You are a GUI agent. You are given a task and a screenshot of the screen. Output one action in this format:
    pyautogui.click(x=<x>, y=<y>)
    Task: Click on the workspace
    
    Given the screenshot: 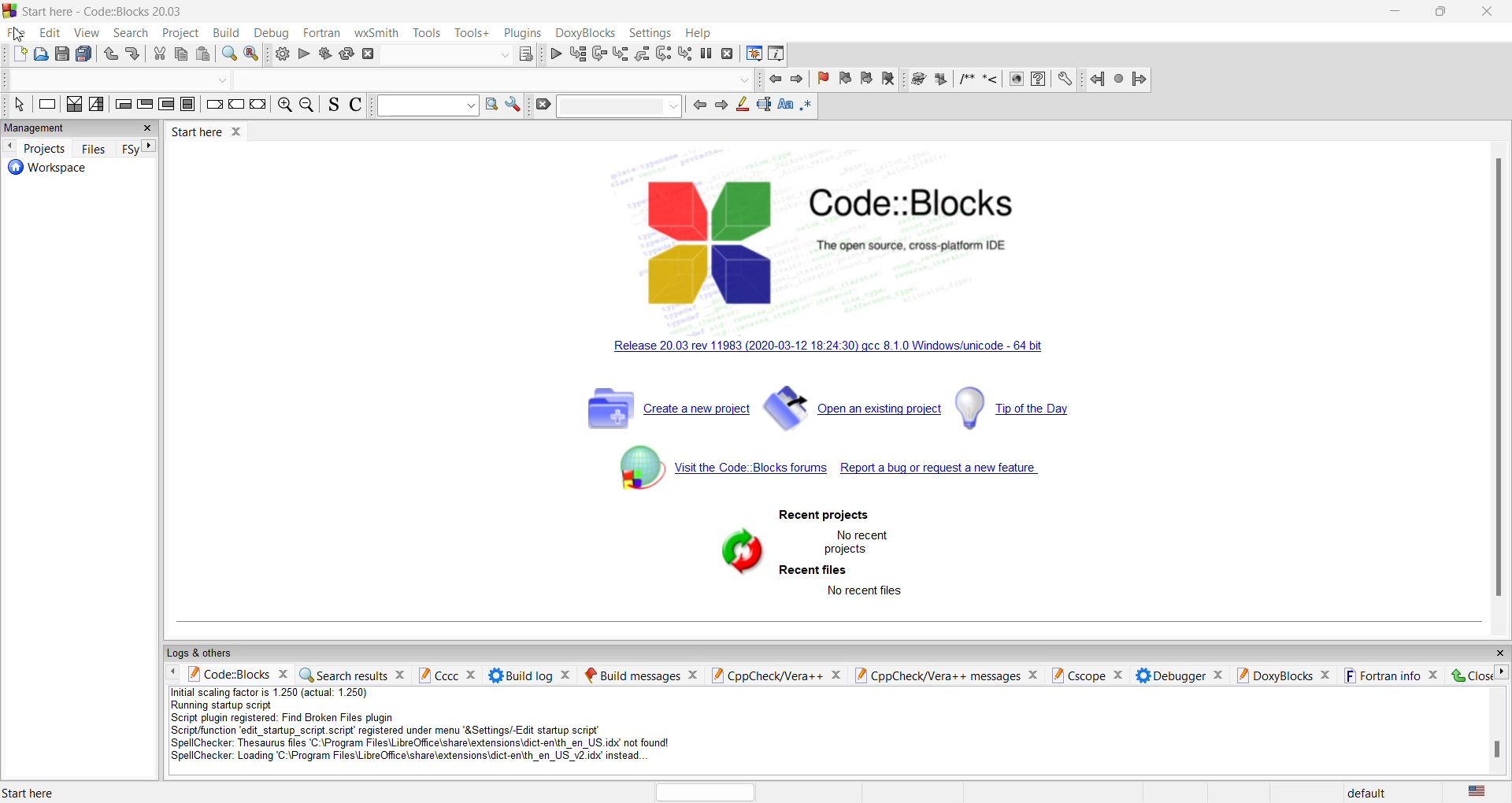 What is the action you would take?
    pyautogui.click(x=84, y=172)
    